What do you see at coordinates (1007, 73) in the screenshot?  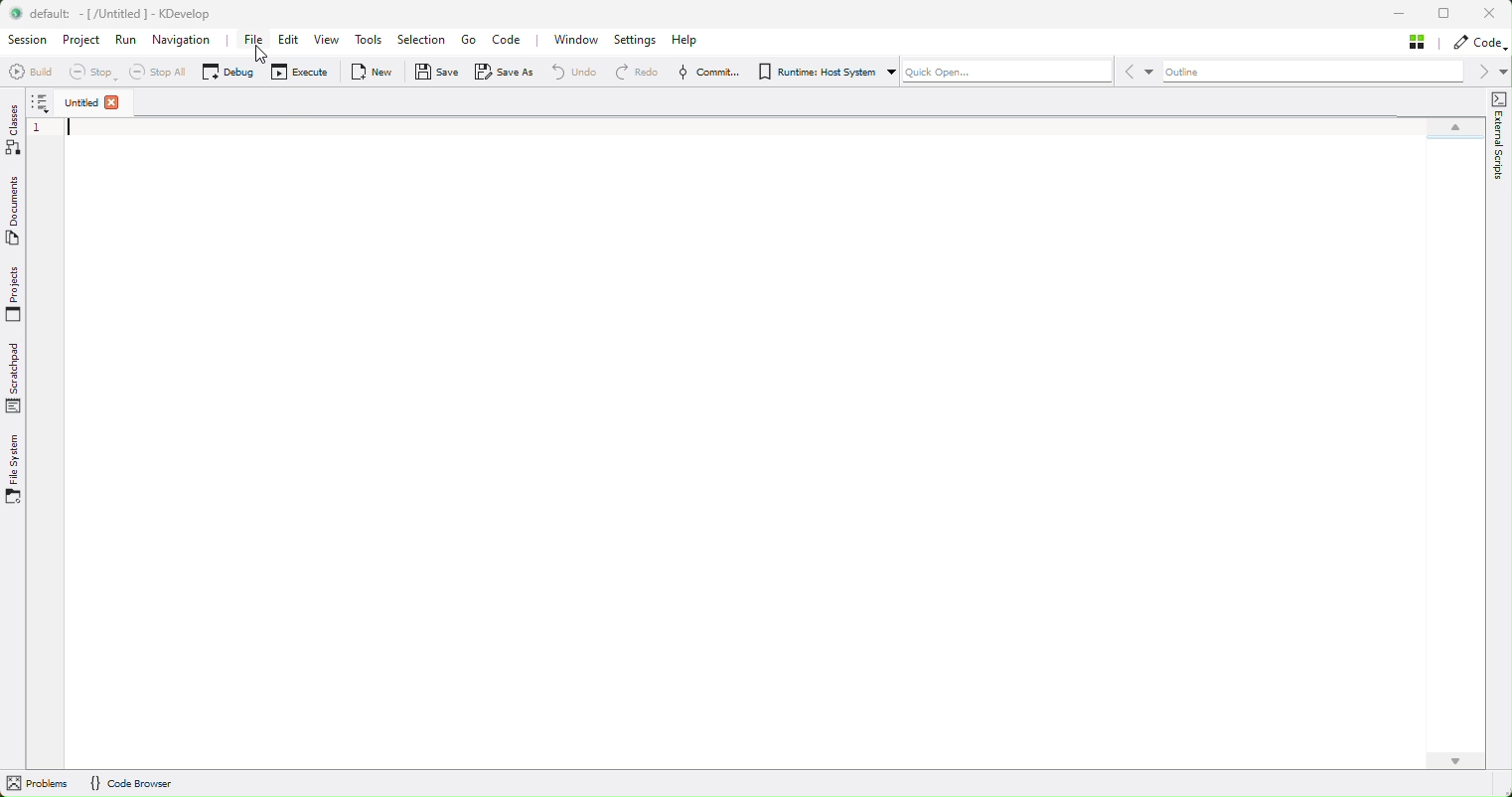 I see `Quick Open` at bounding box center [1007, 73].